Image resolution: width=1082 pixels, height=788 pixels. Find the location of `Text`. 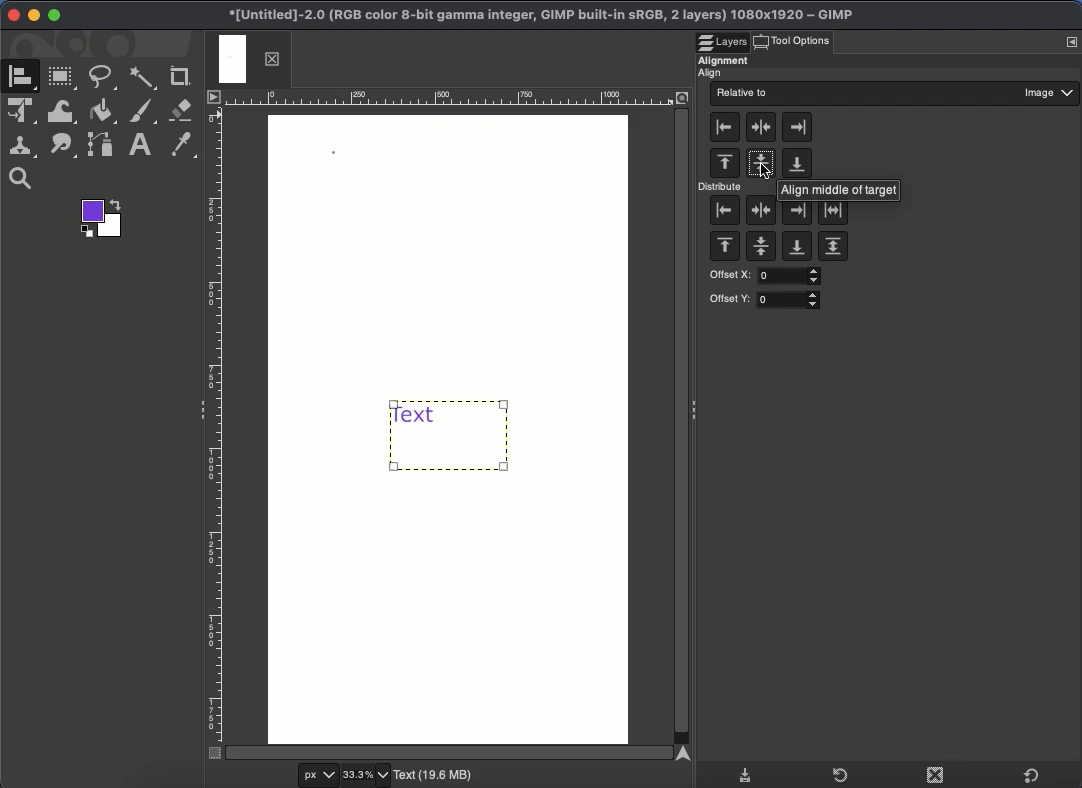

Text is located at coordinates (140, 146).